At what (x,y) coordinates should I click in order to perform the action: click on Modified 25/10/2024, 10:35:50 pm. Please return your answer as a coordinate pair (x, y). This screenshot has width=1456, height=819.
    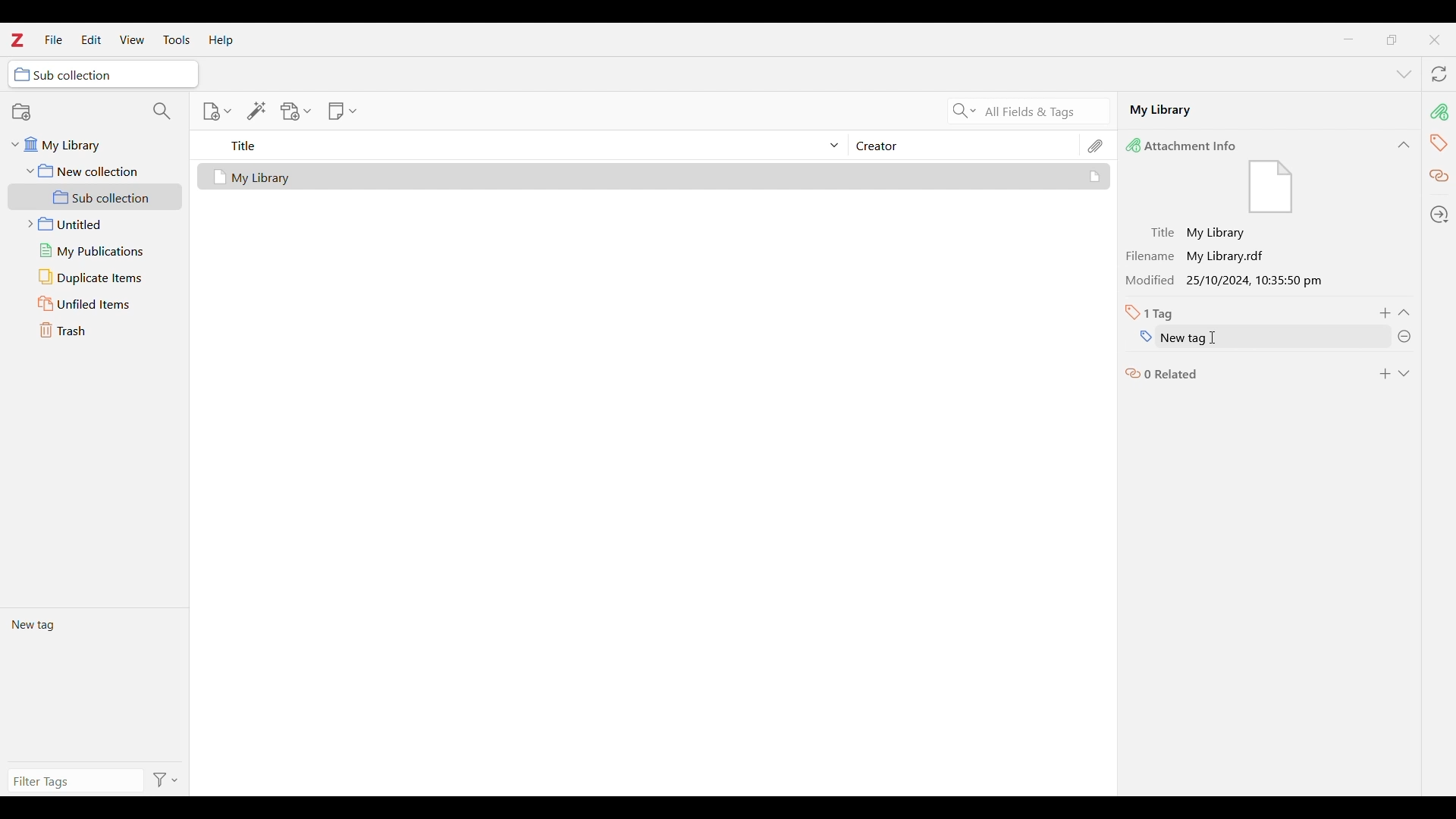
    Looking at the image, I should click on (1228, 281).